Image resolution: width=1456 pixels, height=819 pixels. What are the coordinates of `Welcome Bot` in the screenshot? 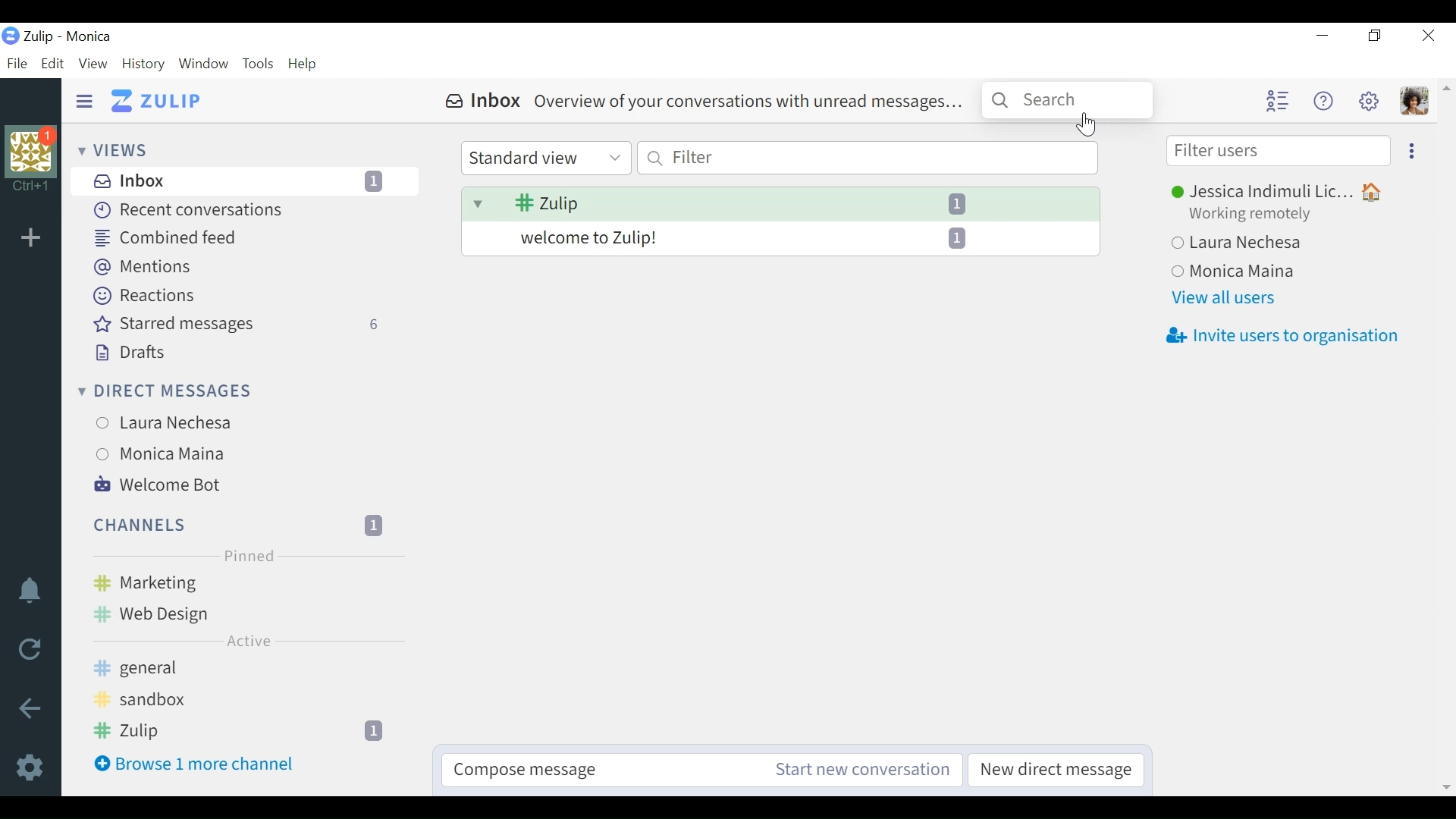 It's located at (160, 485).